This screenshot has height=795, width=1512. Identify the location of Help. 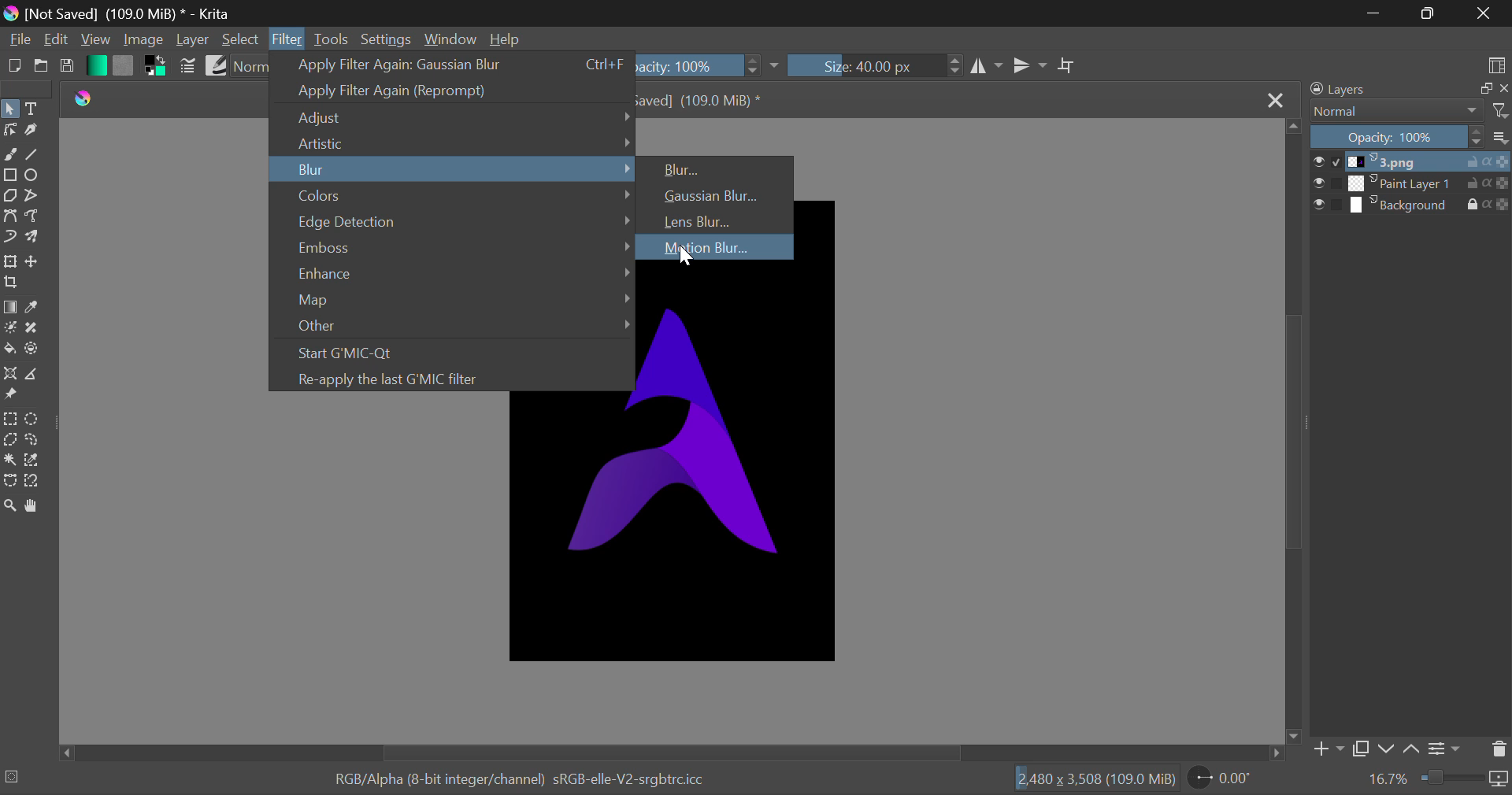
(507, 39).